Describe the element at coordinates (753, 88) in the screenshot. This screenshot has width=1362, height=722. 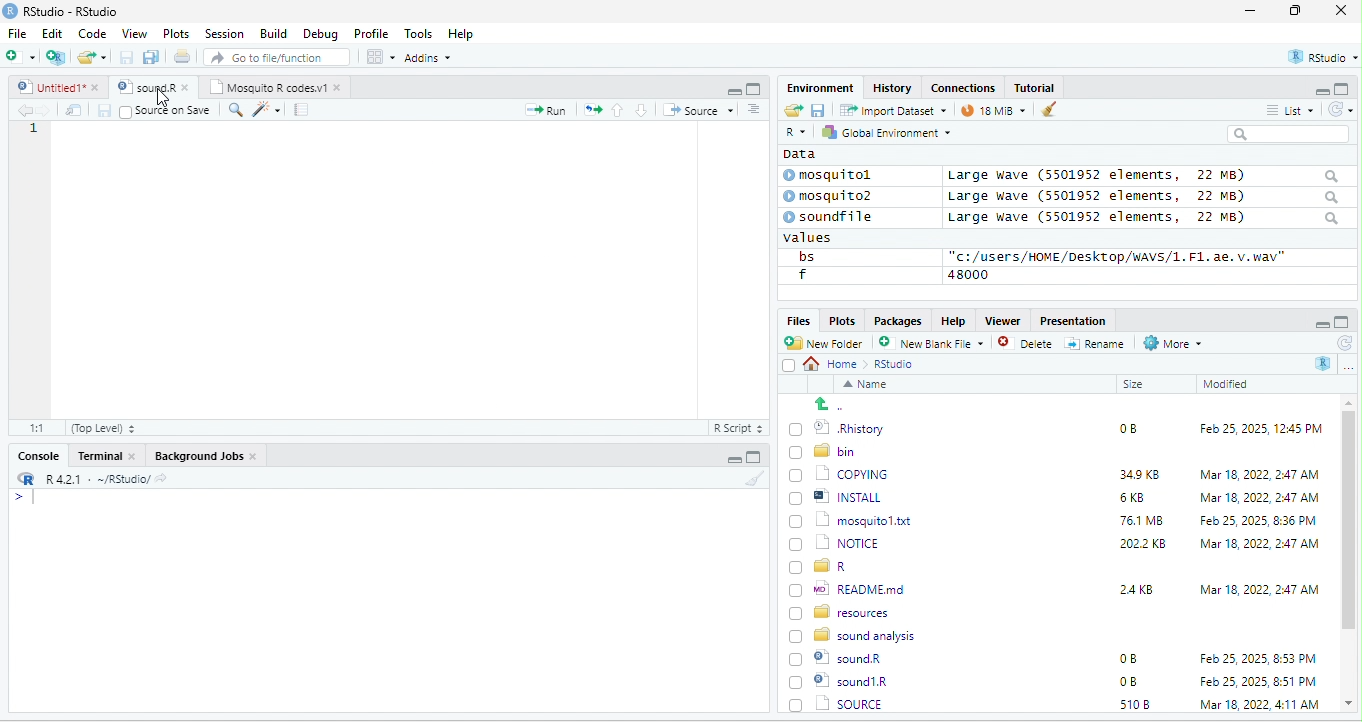
I see `maximize` at that location.